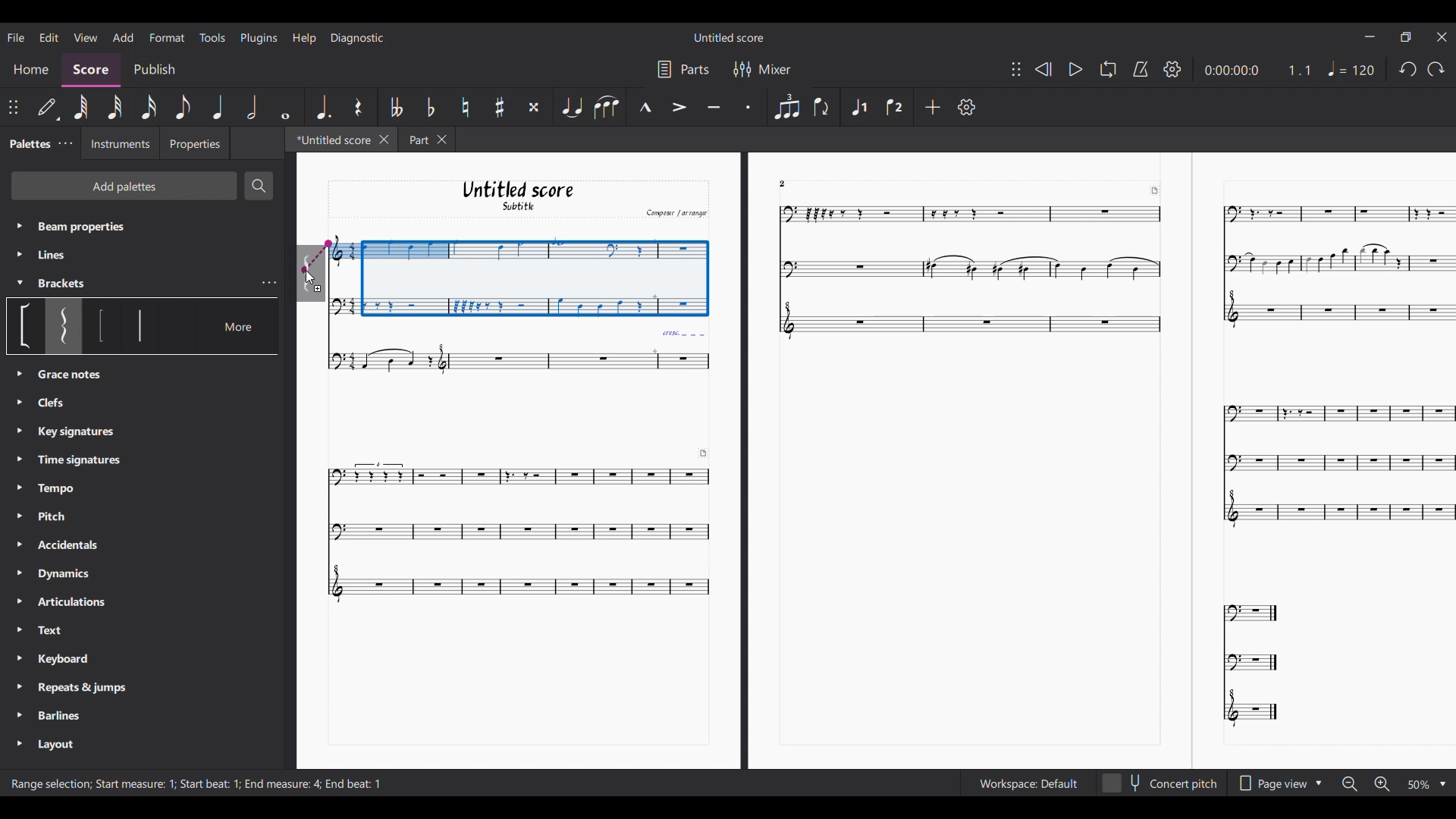 The width and height of the screenshot is (1456, 819). What do you see at coordinates (1043, 69) in the screenshot?
I see `Rewind` at bounding box center [1043, 69].